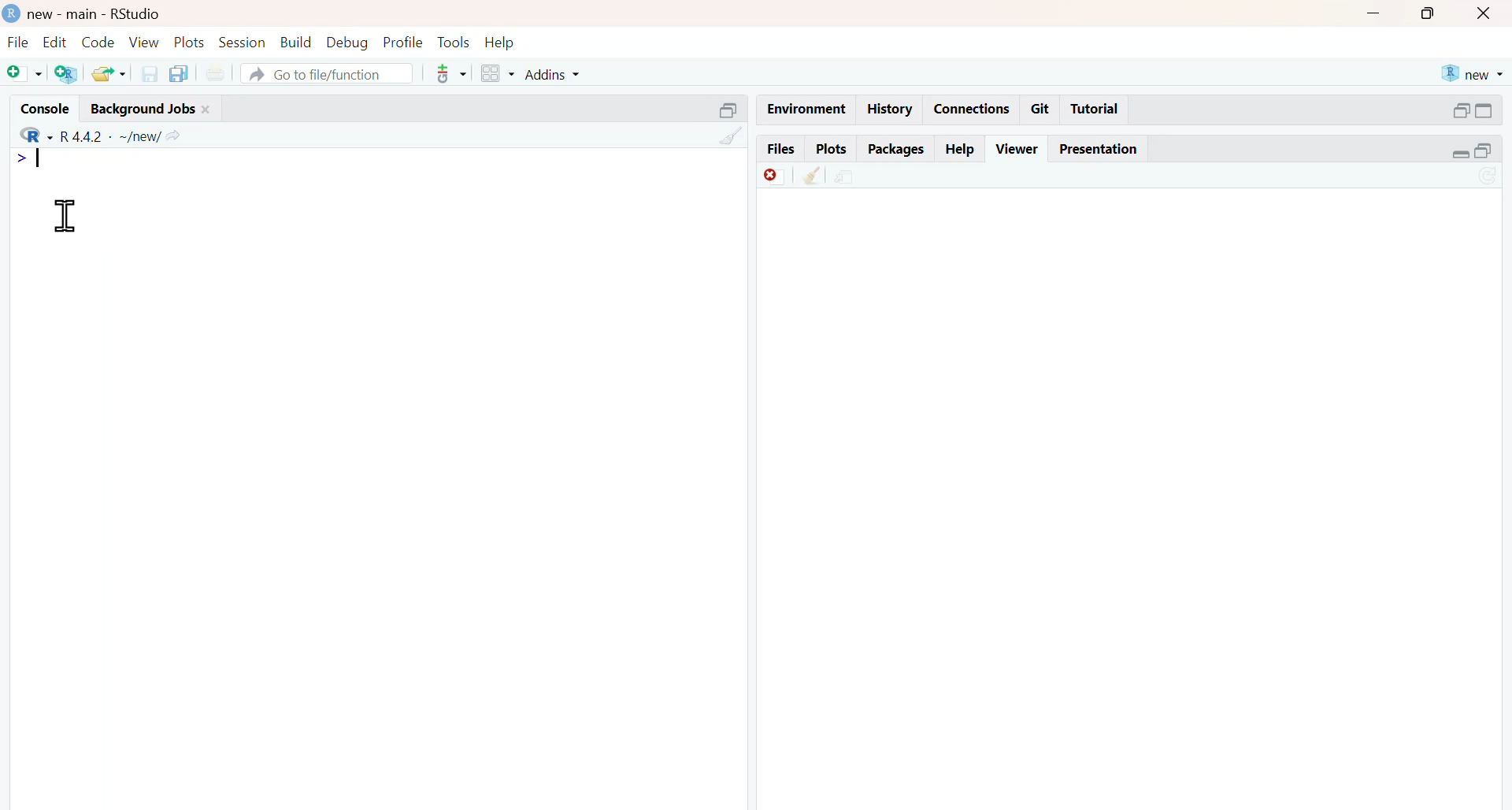 The width and height of the screenshot is (1512, 810). What do you see at coordinates (973, 109) in the screenshot?
I see `connections` at bounding box center [973, 109].